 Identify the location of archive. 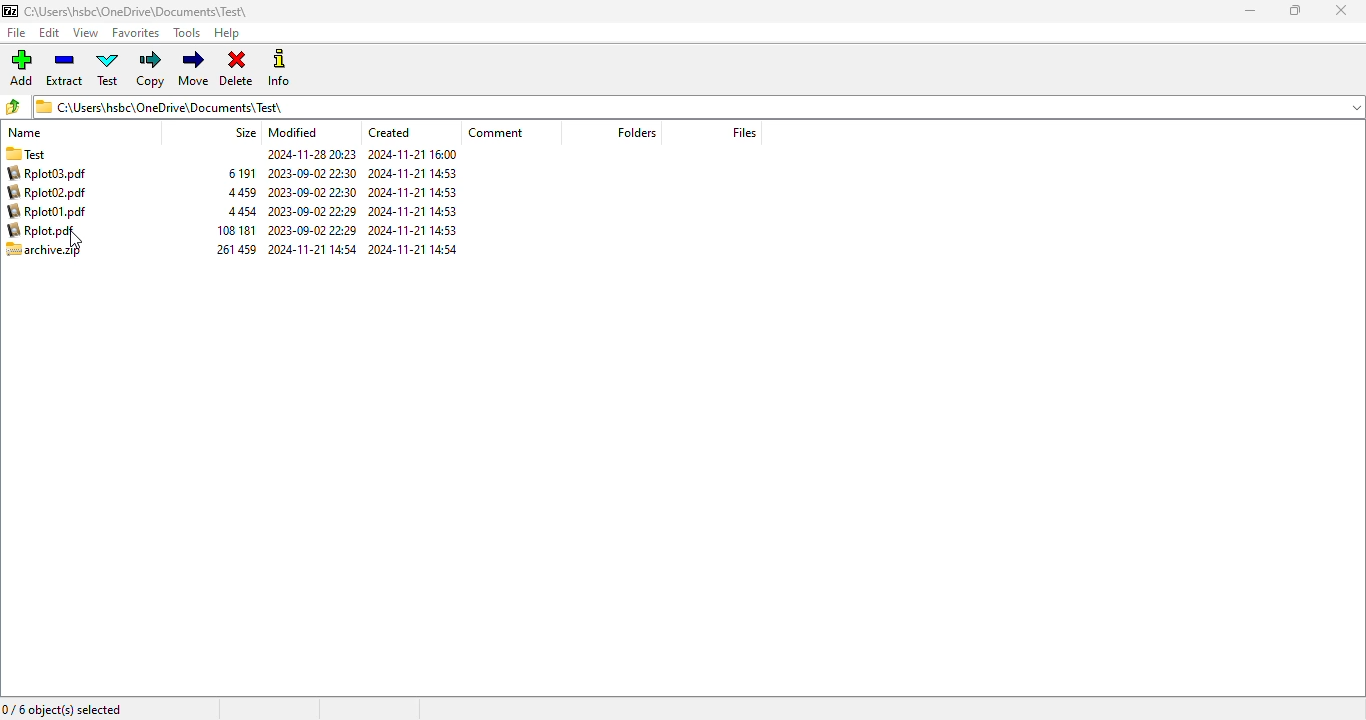
(236, 211).